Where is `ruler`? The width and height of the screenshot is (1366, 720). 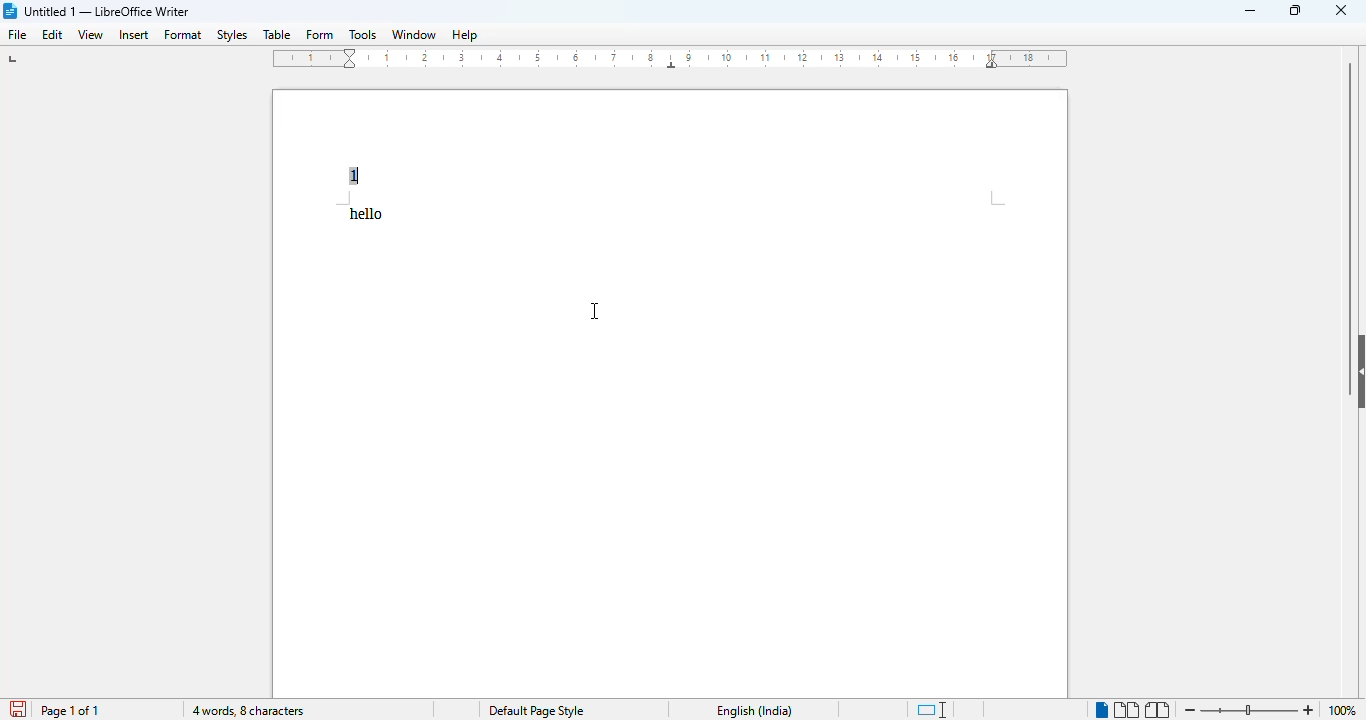 ruler is located at coordinates (671, 58).